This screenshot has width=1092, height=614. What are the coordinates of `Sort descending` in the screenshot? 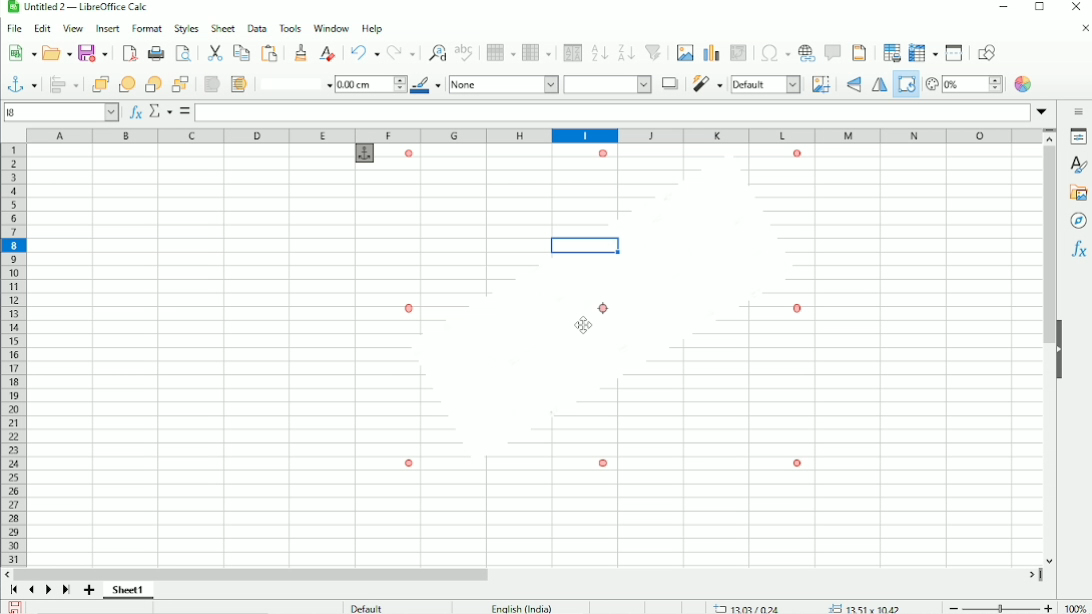 It's located at (626, 52).